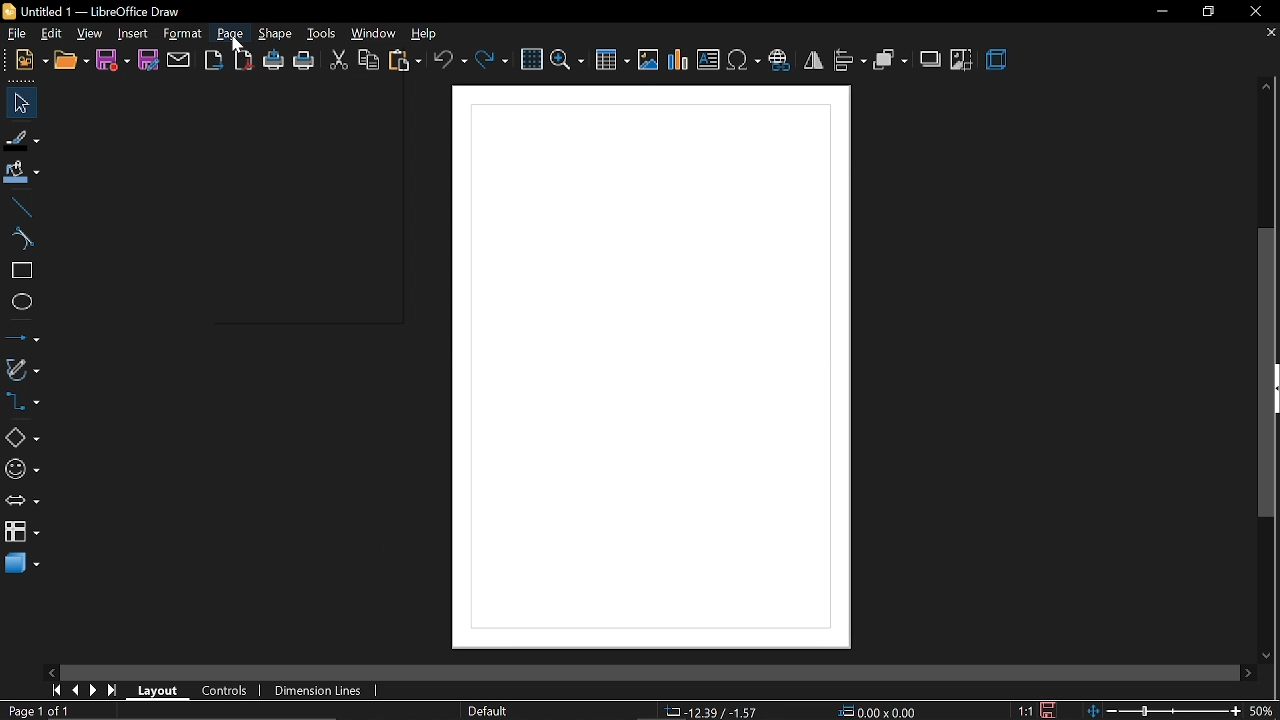  Describe the element at coordinates (1266, 85) in the screenshot. I see `move up` at that location.